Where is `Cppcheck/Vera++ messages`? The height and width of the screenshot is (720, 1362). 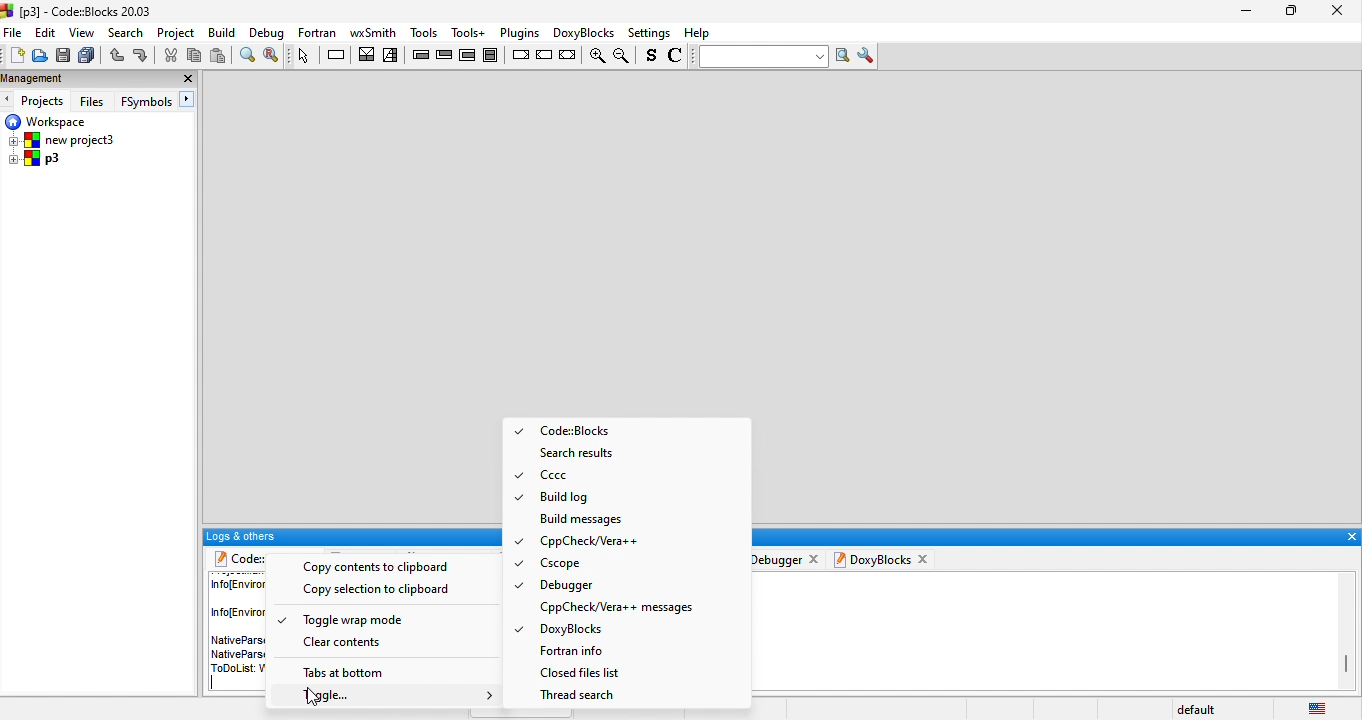
Cppcheck/Vera++ messages is located at coordinates (623, 607).